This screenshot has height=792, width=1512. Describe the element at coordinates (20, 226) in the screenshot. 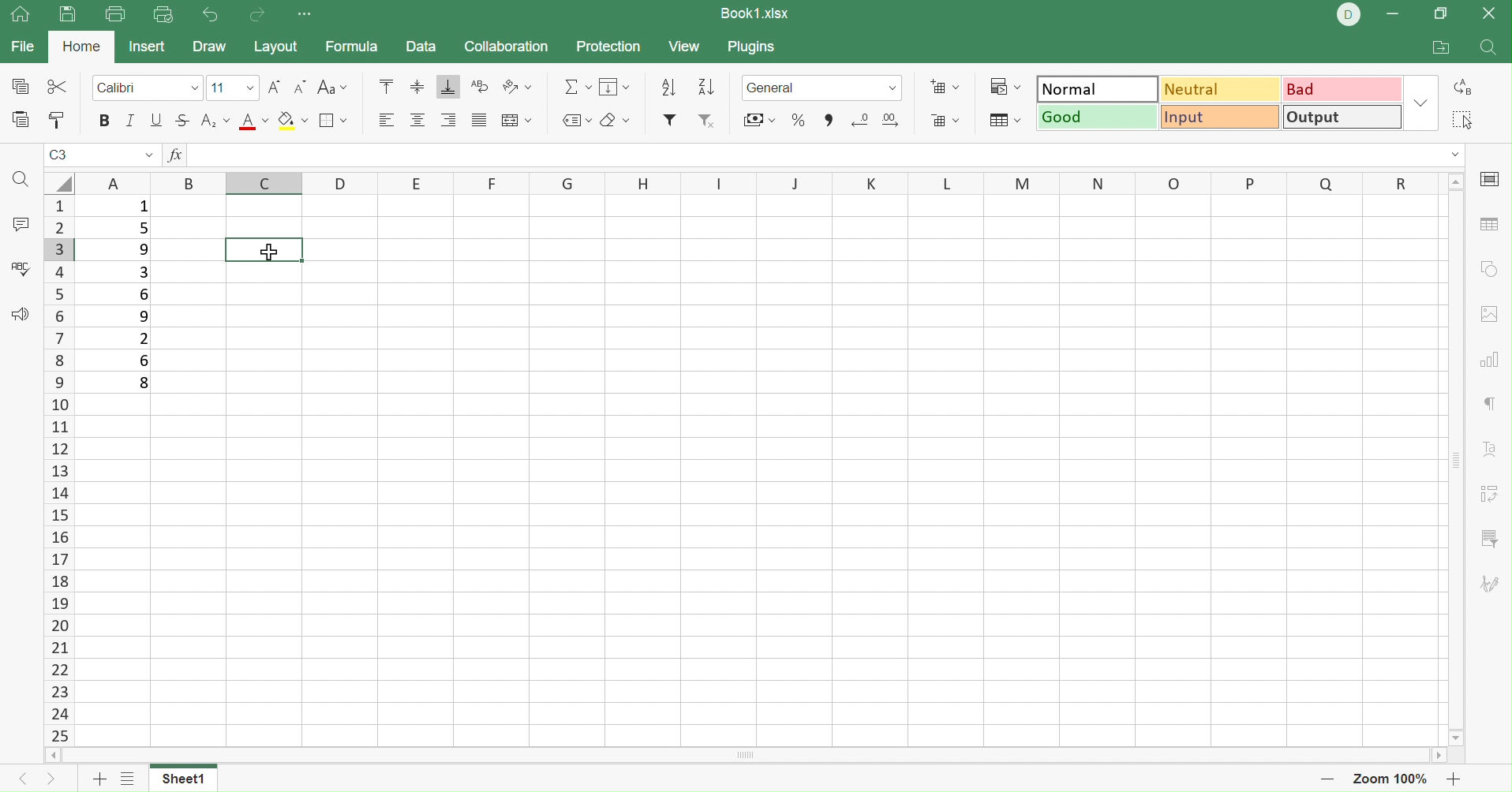

I see `Comments` at that location.